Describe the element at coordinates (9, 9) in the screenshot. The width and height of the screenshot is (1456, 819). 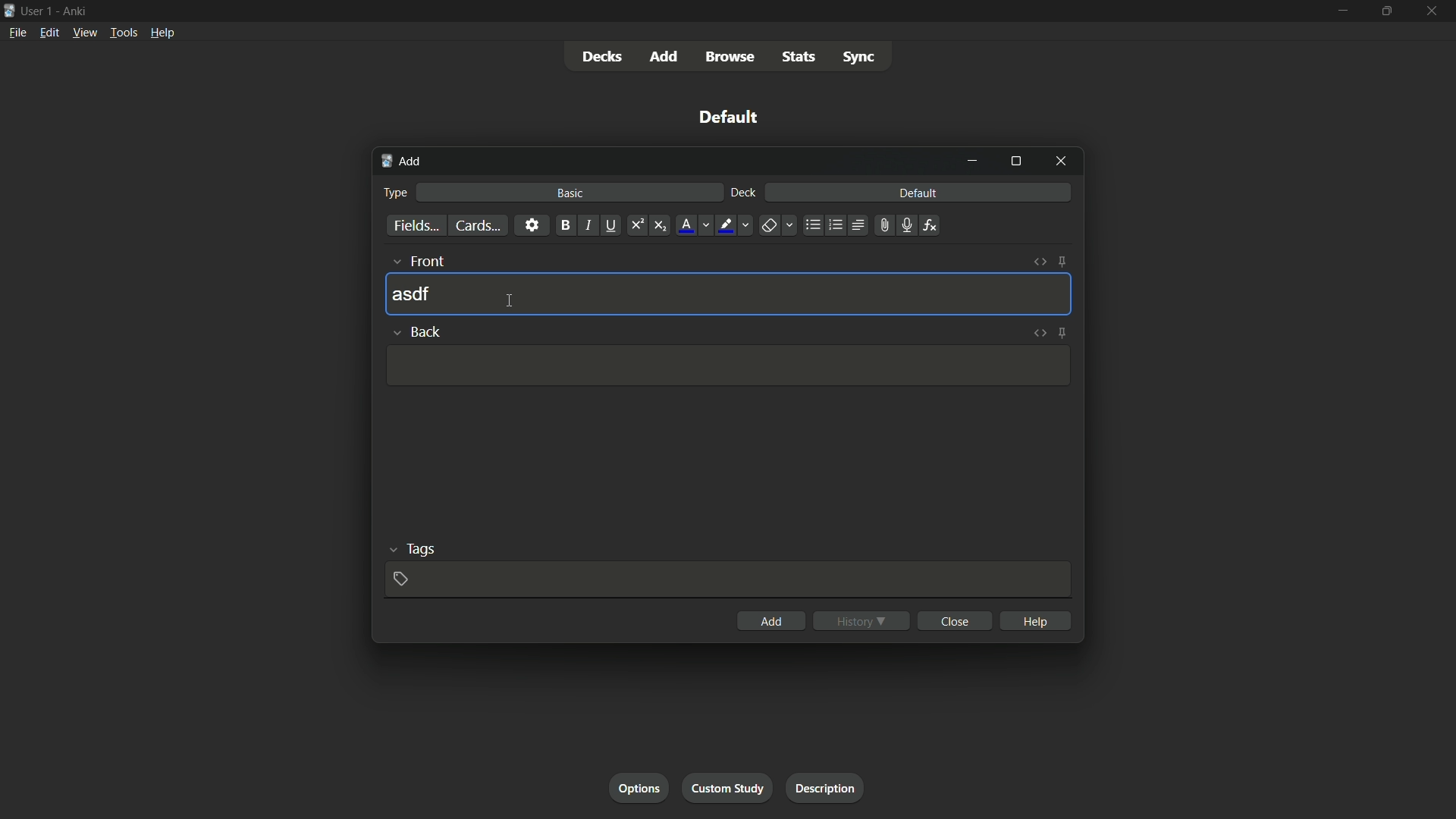
I see `icon` at that location.